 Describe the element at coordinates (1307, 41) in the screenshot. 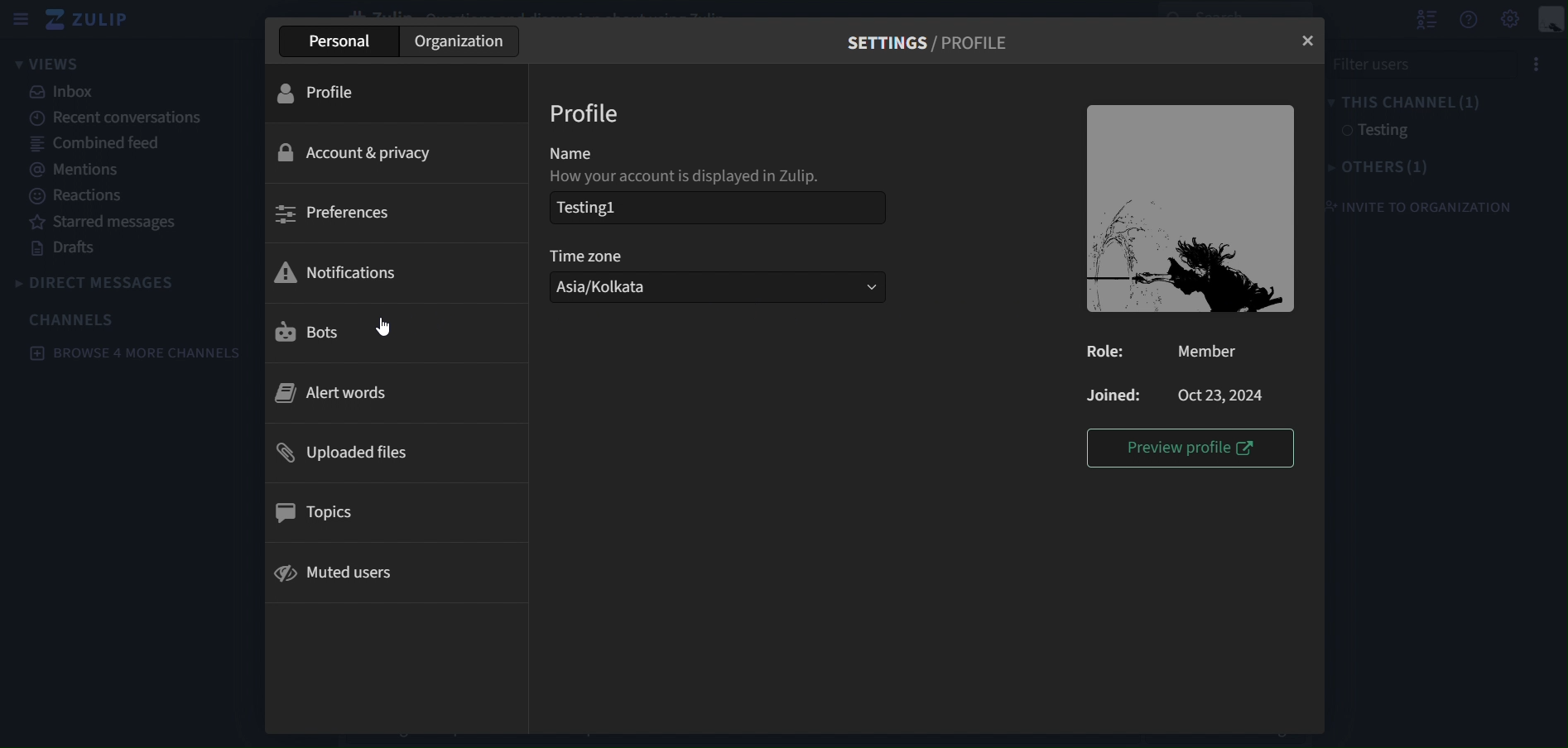

I see `close` at that location.